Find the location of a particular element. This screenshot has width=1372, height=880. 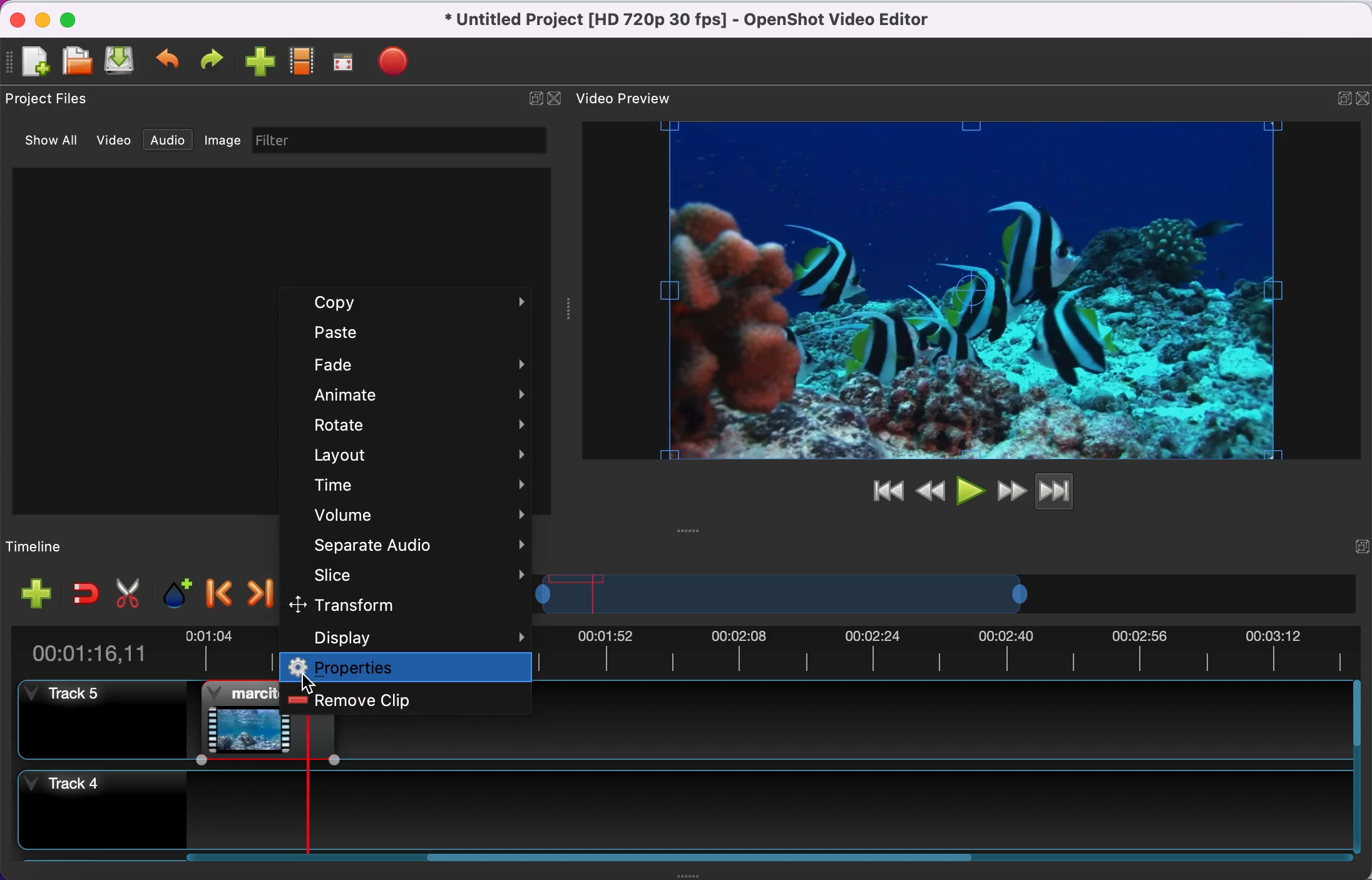

Cursor is located at coordinates (307, 684).